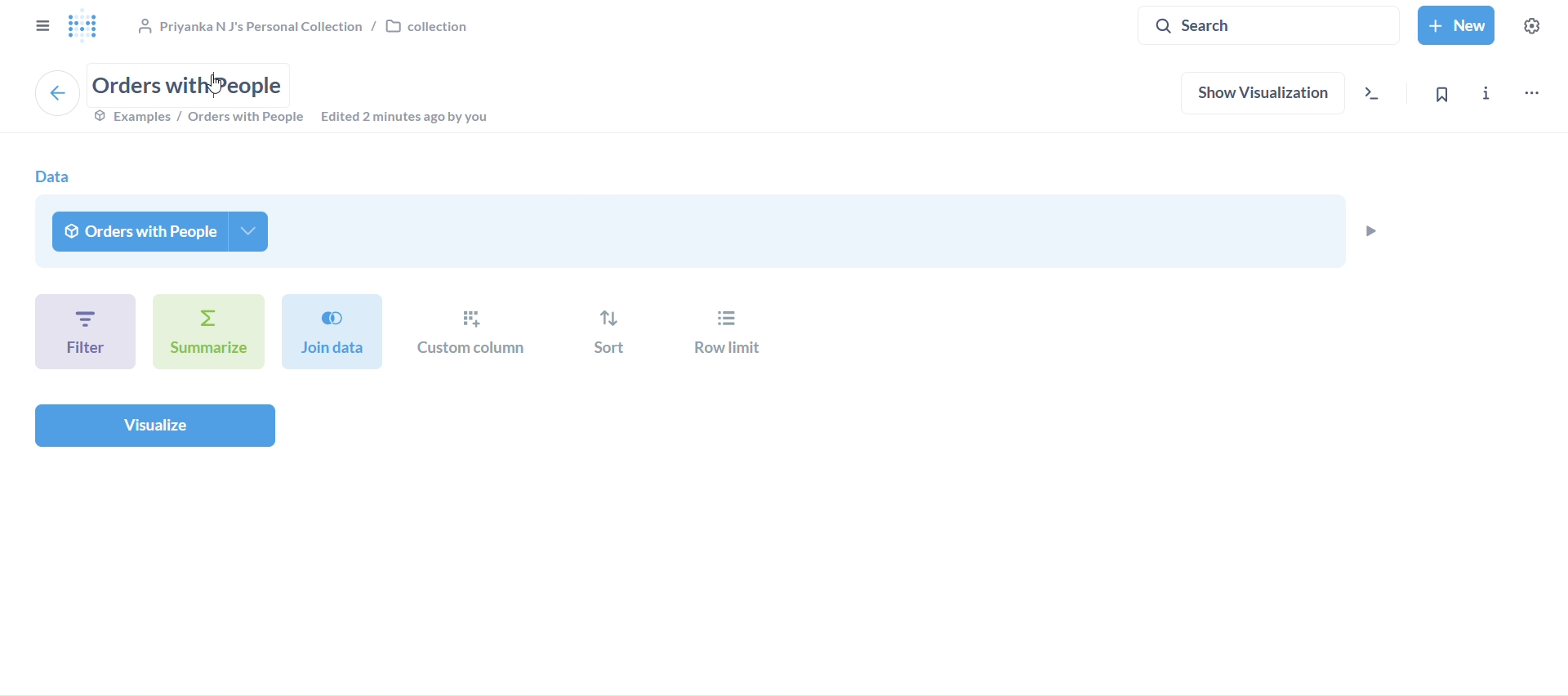 The width and height of the screenshot is (1568, 696). I want to click on sort, so click(609, 333).